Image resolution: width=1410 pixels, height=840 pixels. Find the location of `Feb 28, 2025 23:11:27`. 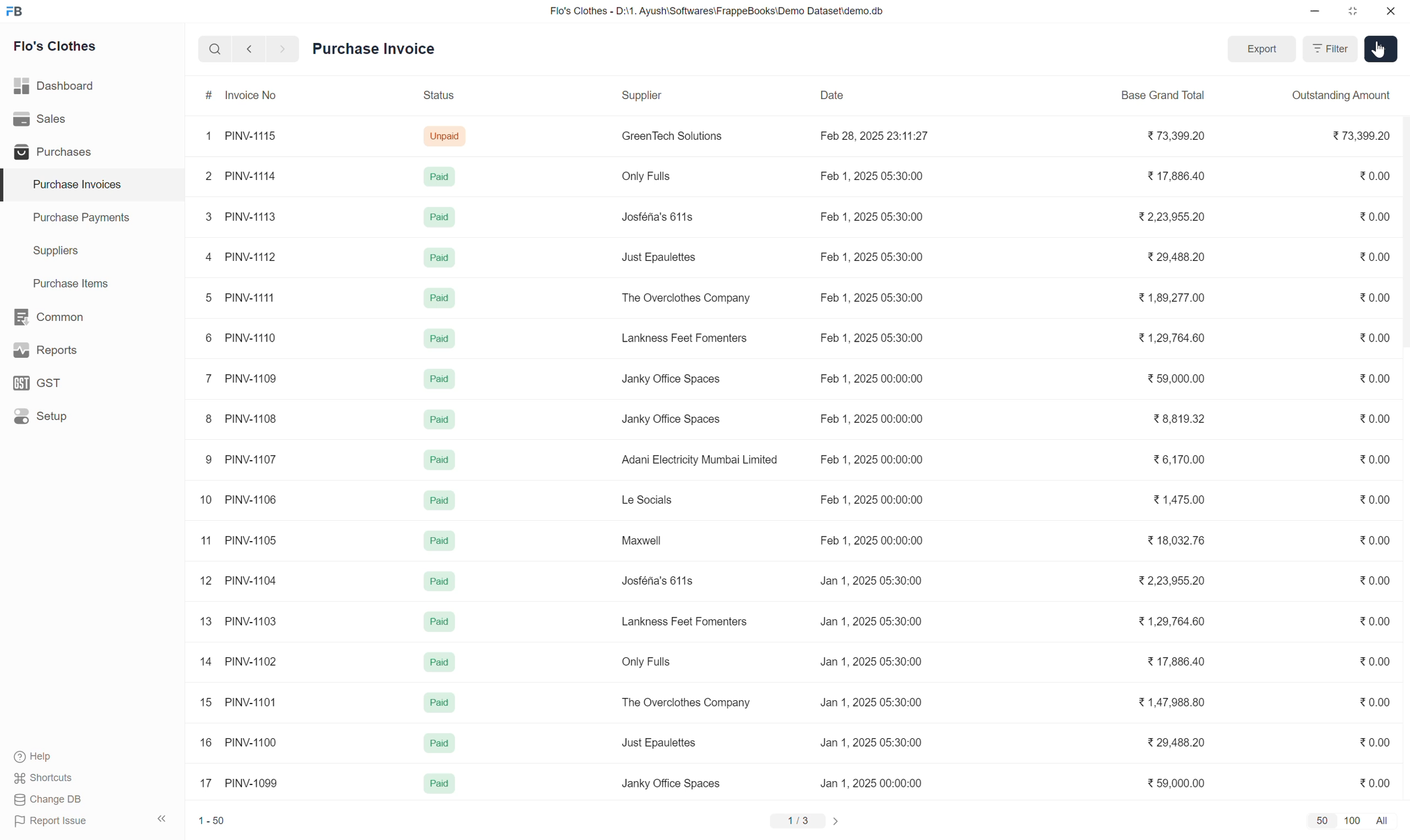

Feb 28, 2025 23:11:27 is located at coordinates (878, 135).